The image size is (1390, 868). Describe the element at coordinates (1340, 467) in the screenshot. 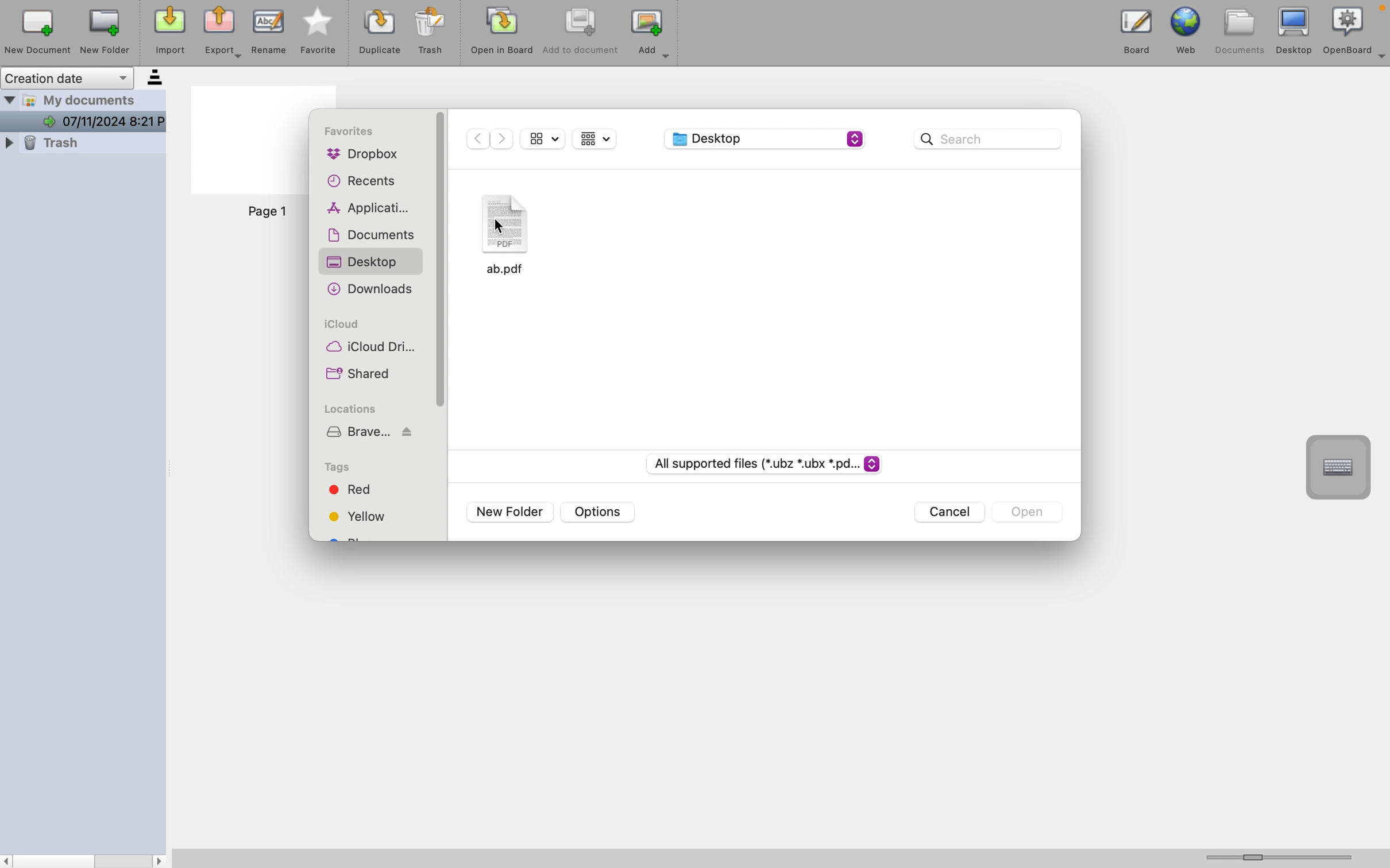

I see `virtual keyboard` at that location.